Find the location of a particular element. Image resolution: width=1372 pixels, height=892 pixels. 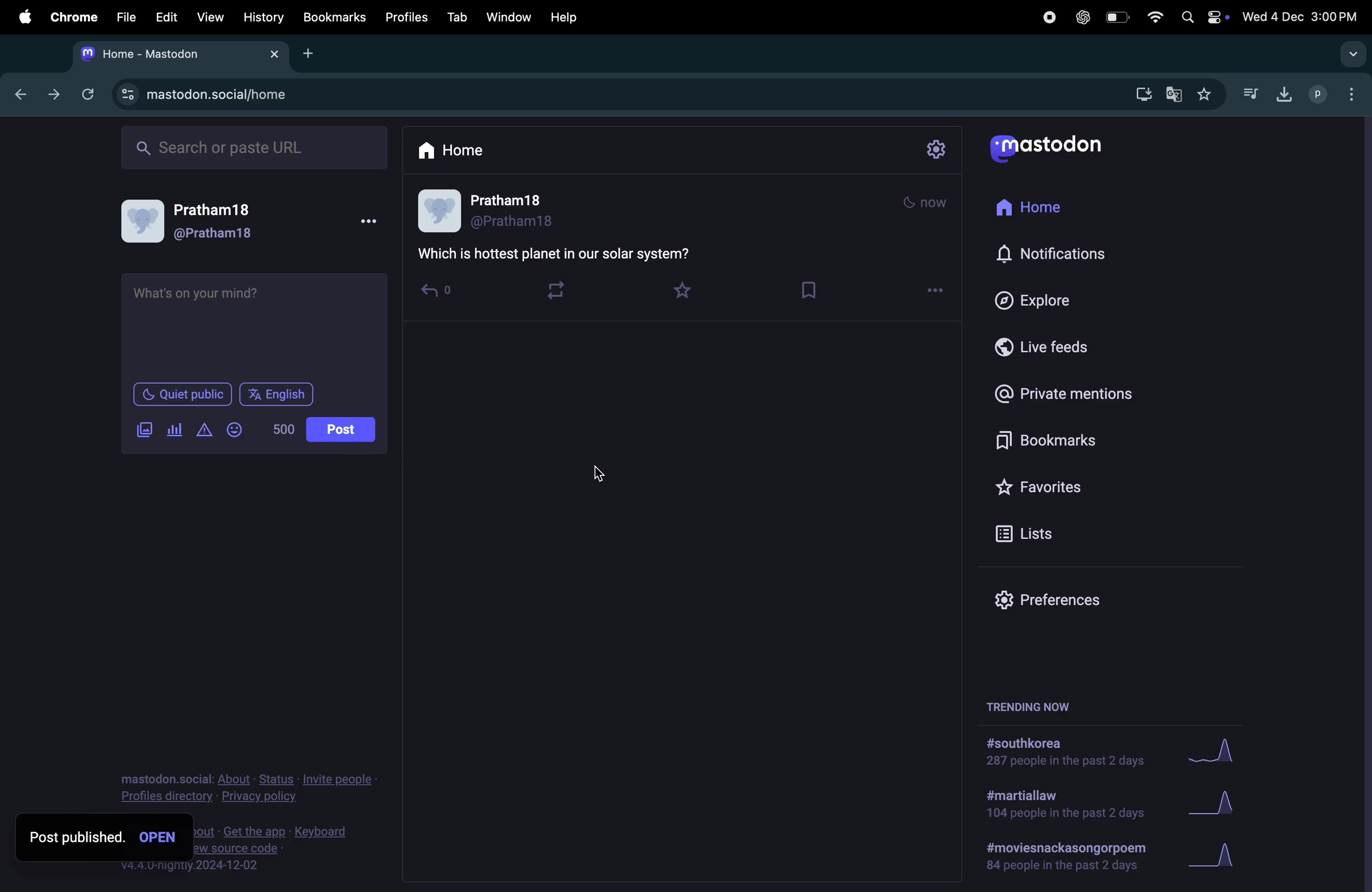

user profile is located at coordinates (250, 222).